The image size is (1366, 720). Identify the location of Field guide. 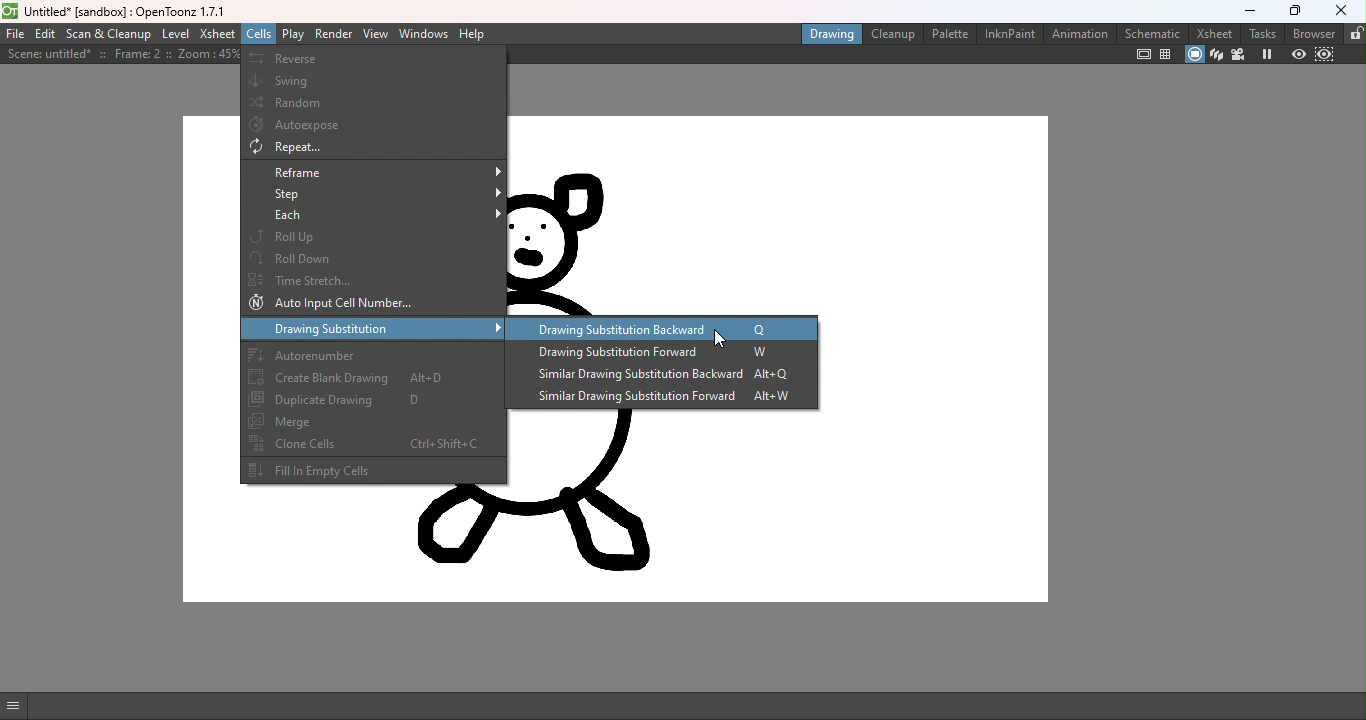
(1168, 54).